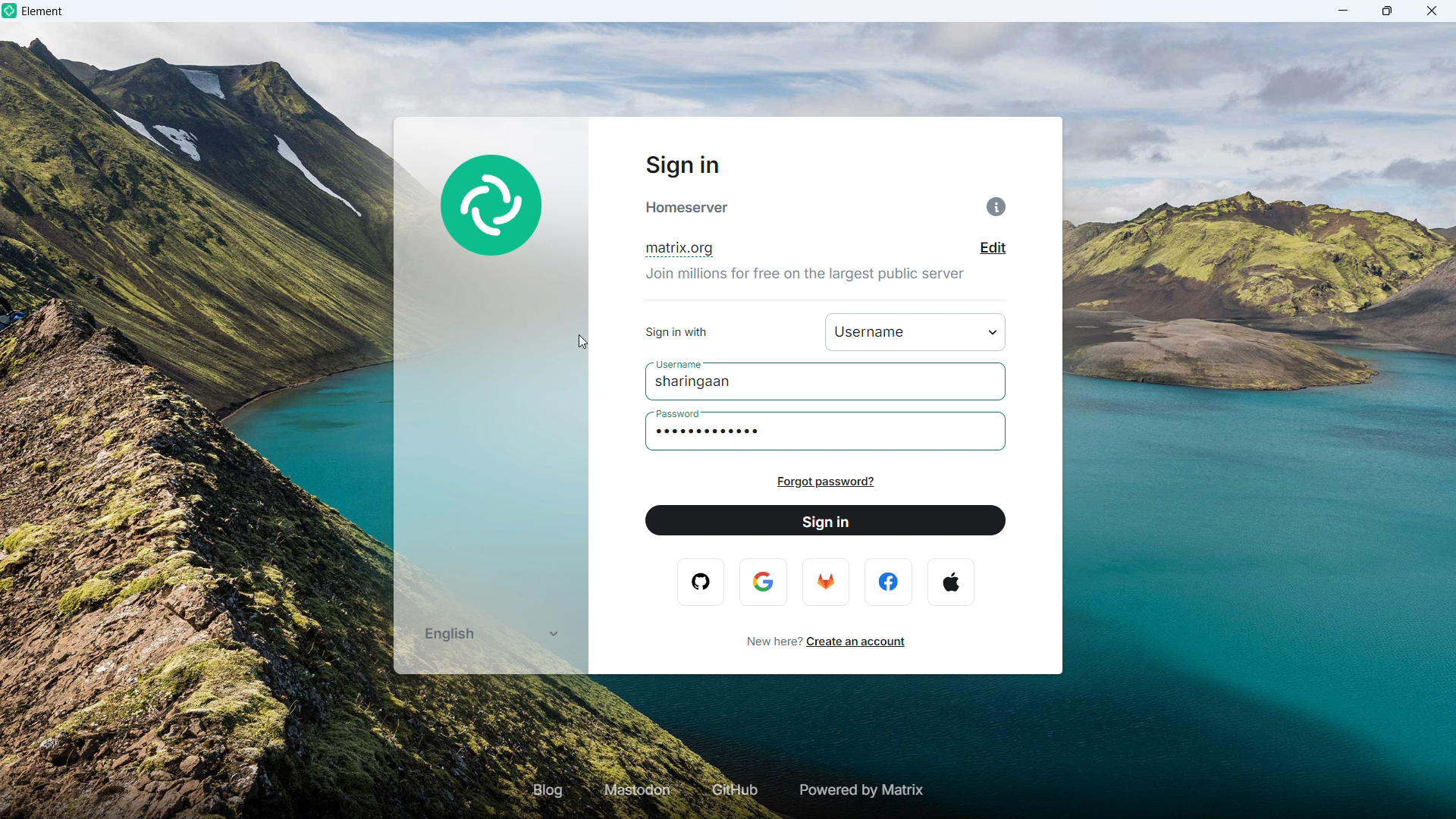  What do you see at coordinates (996, 207) in the screenshot?
I see `Information ` at bounding box center [996, 207].